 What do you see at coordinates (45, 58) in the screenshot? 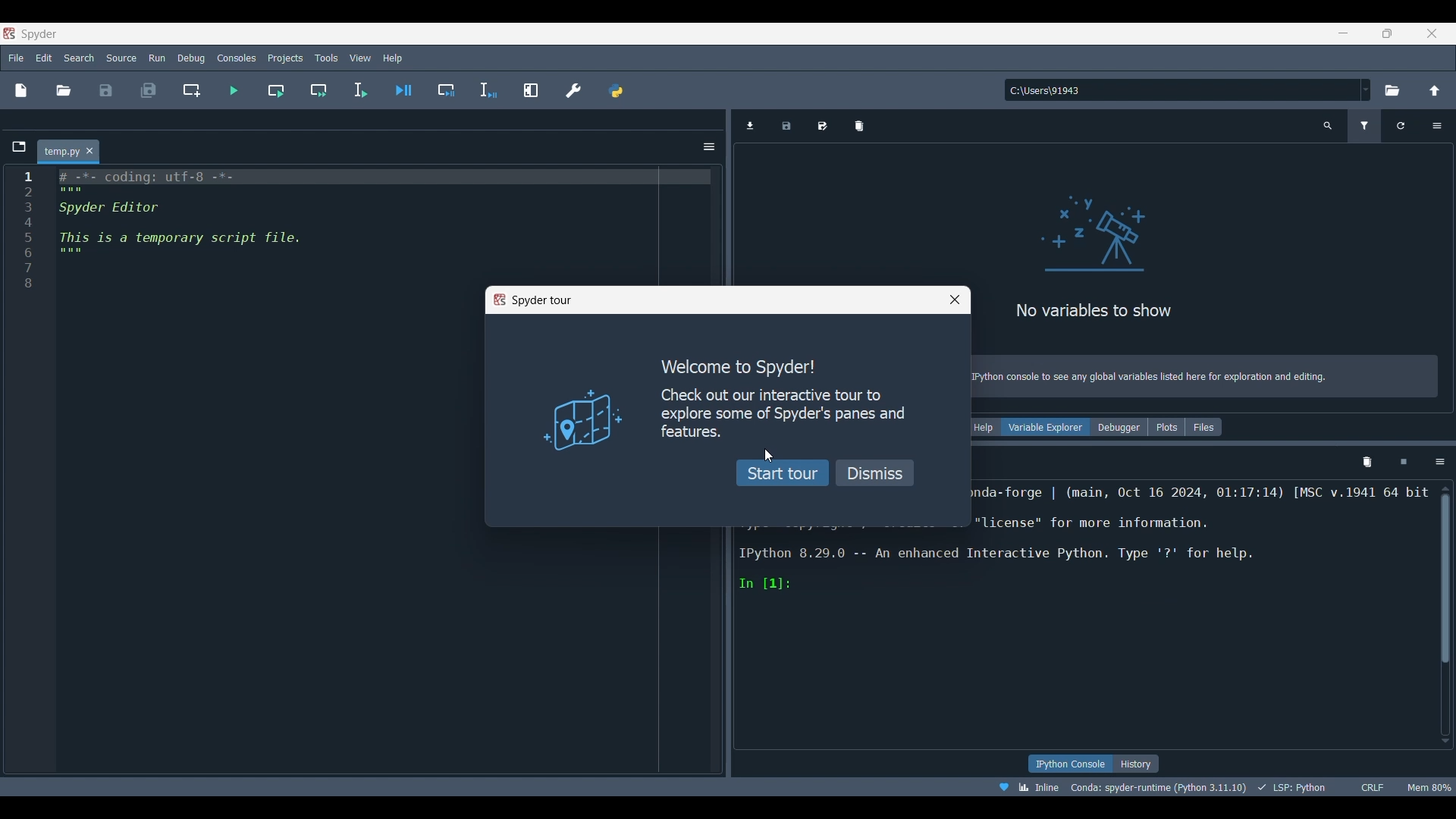
I see `Edit menu` at bounding box center [45, 58].